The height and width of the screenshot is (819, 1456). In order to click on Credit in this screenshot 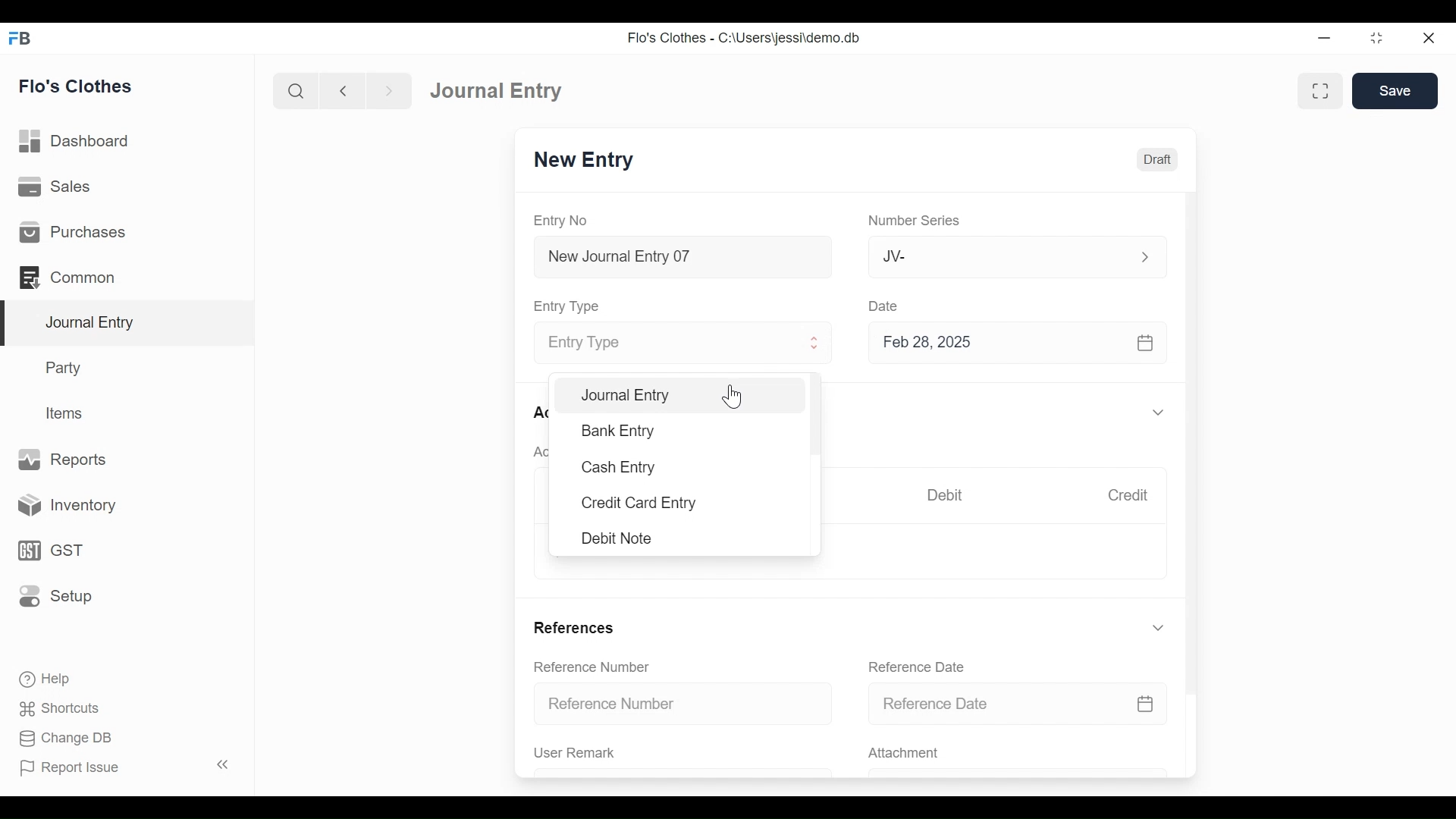, I will do `click(1129, 496)`.